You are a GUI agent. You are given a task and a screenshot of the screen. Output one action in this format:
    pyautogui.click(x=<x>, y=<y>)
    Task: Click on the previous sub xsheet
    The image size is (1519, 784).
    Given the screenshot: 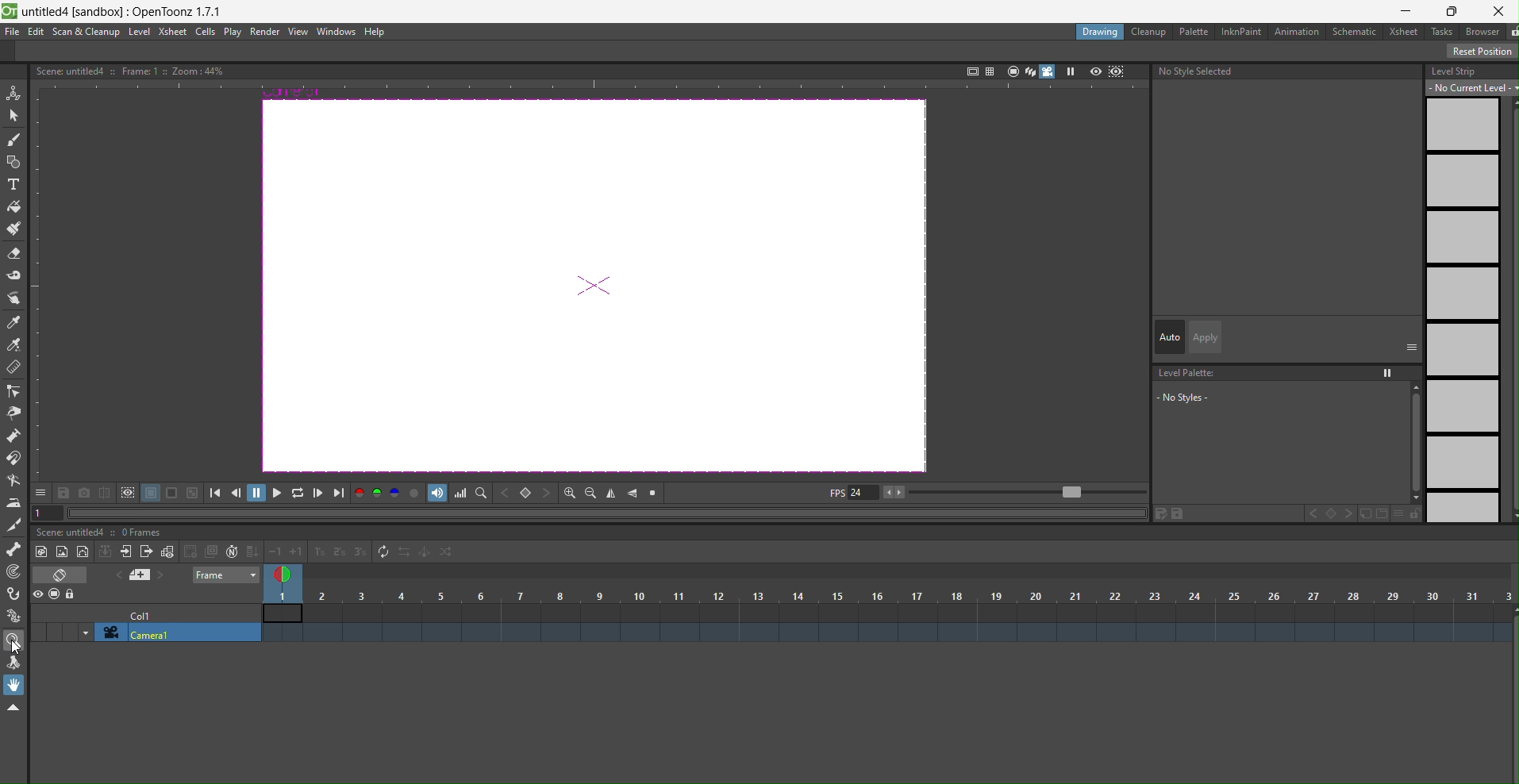 What is the action you would take?
    pyautogui.click(x=127, y=552)
    